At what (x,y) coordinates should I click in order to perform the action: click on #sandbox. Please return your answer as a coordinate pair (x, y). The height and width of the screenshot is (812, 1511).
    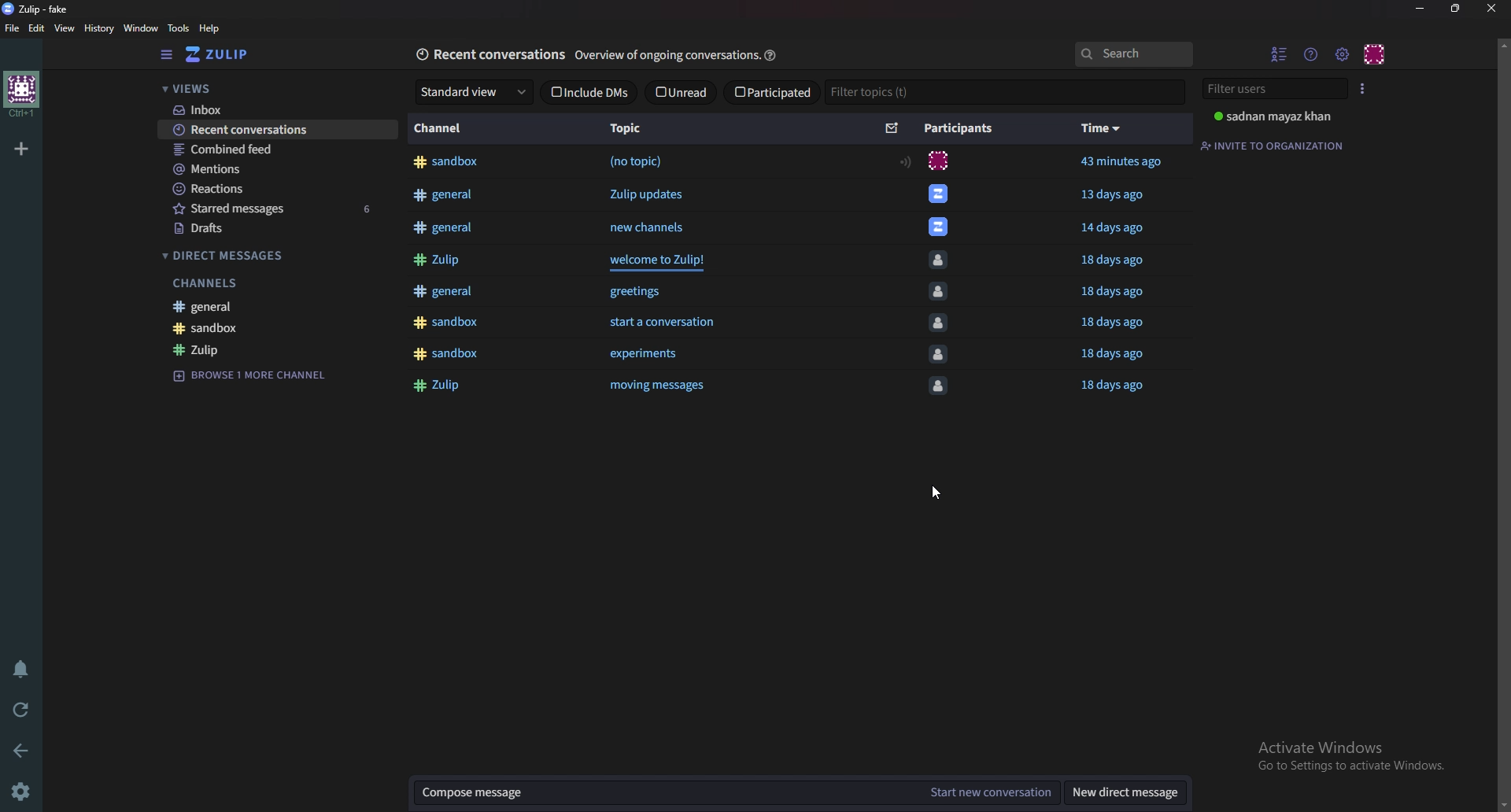
    Looking at the image, I should click on (453, 360).